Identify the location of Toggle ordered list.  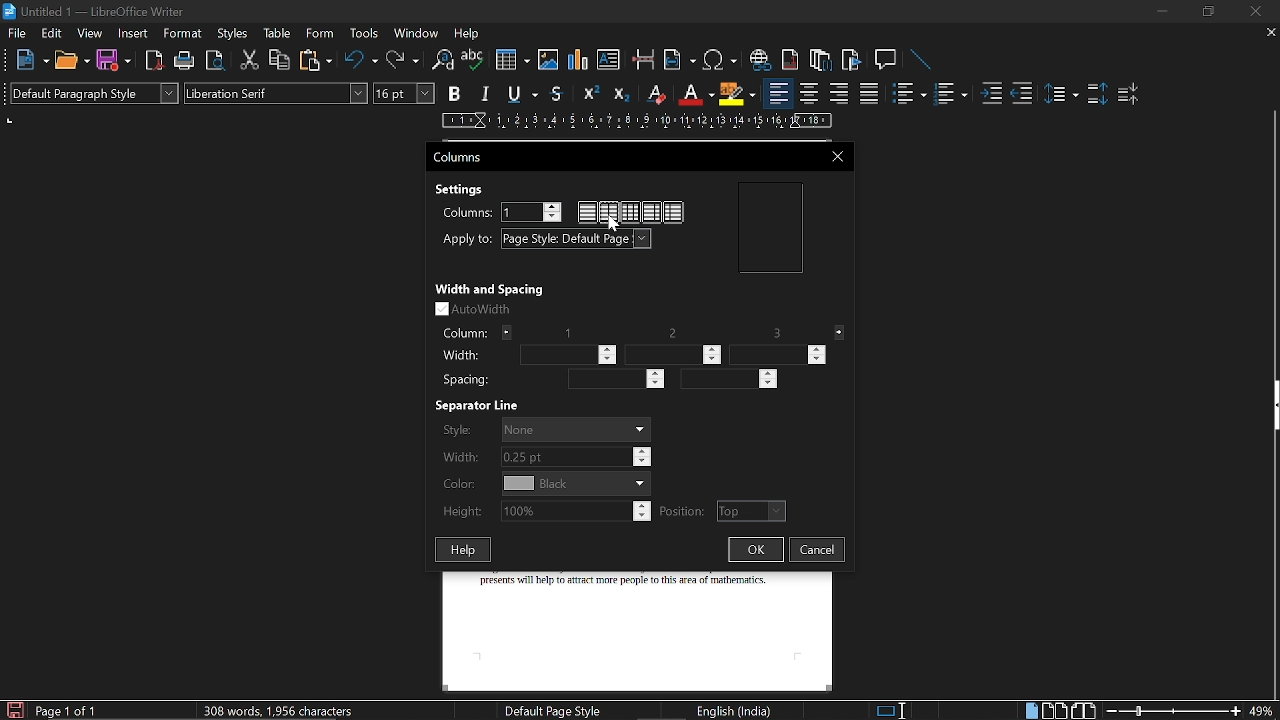
(951, 93).